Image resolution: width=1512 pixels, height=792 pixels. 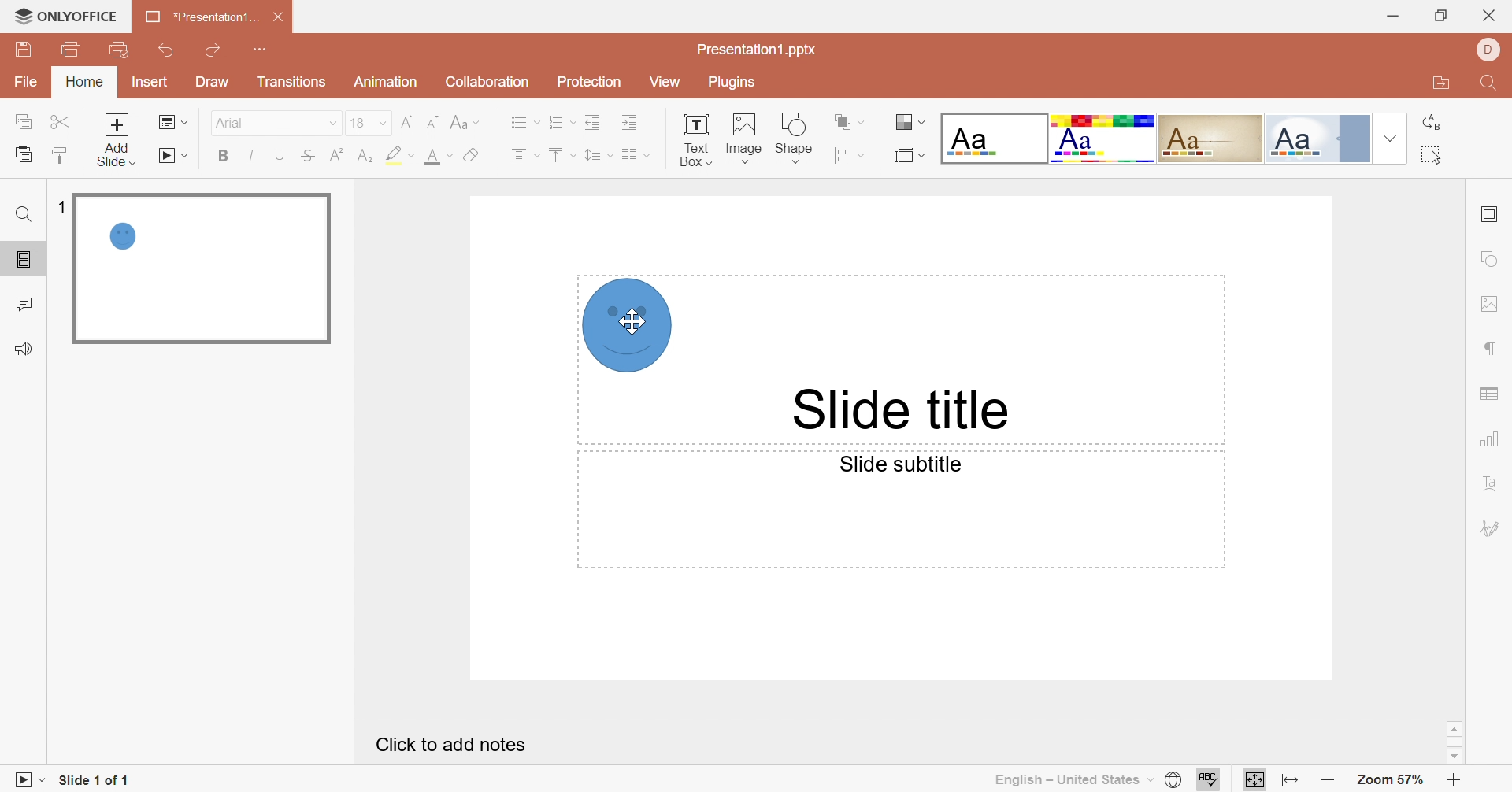 I want to click on ONLYOFFICE, so click(x=67, y=17).